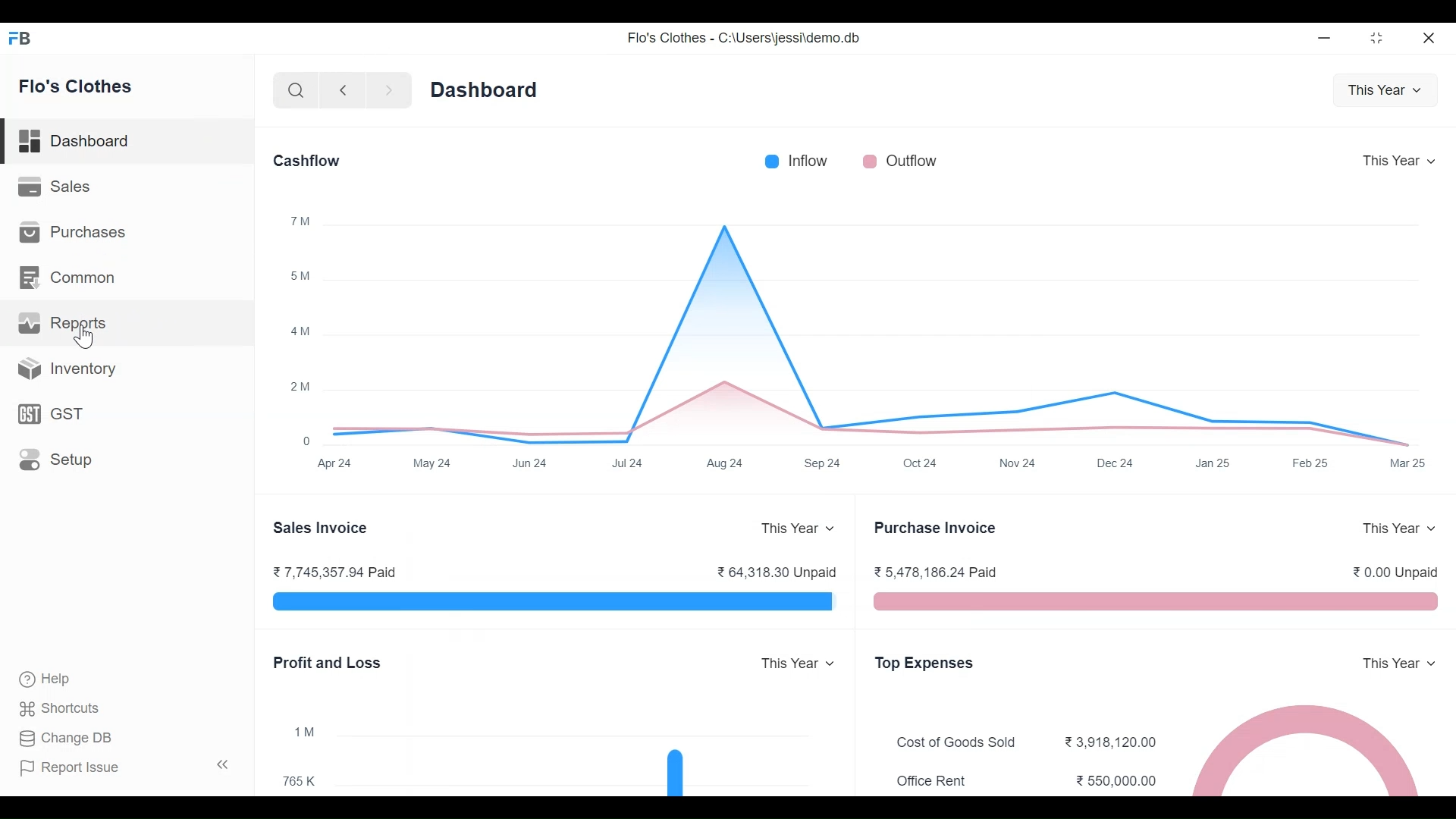 The width and height of the screenshot is (1456, 819). Describe the element at coordinates (1028, 780) in the screenshot. I see `Office Rent  550,000.00` at that location.